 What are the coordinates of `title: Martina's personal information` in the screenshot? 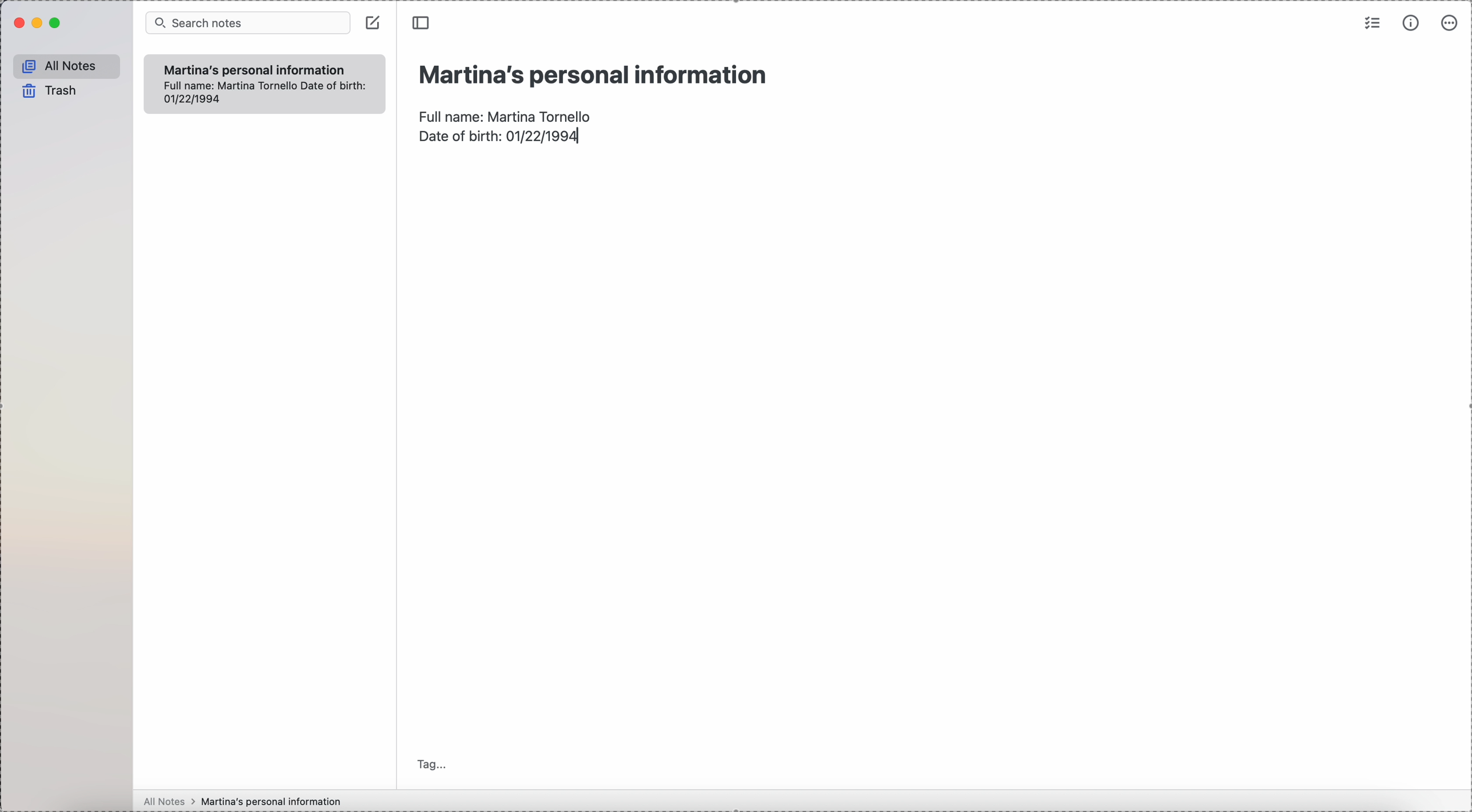 It's located at (591, 74).